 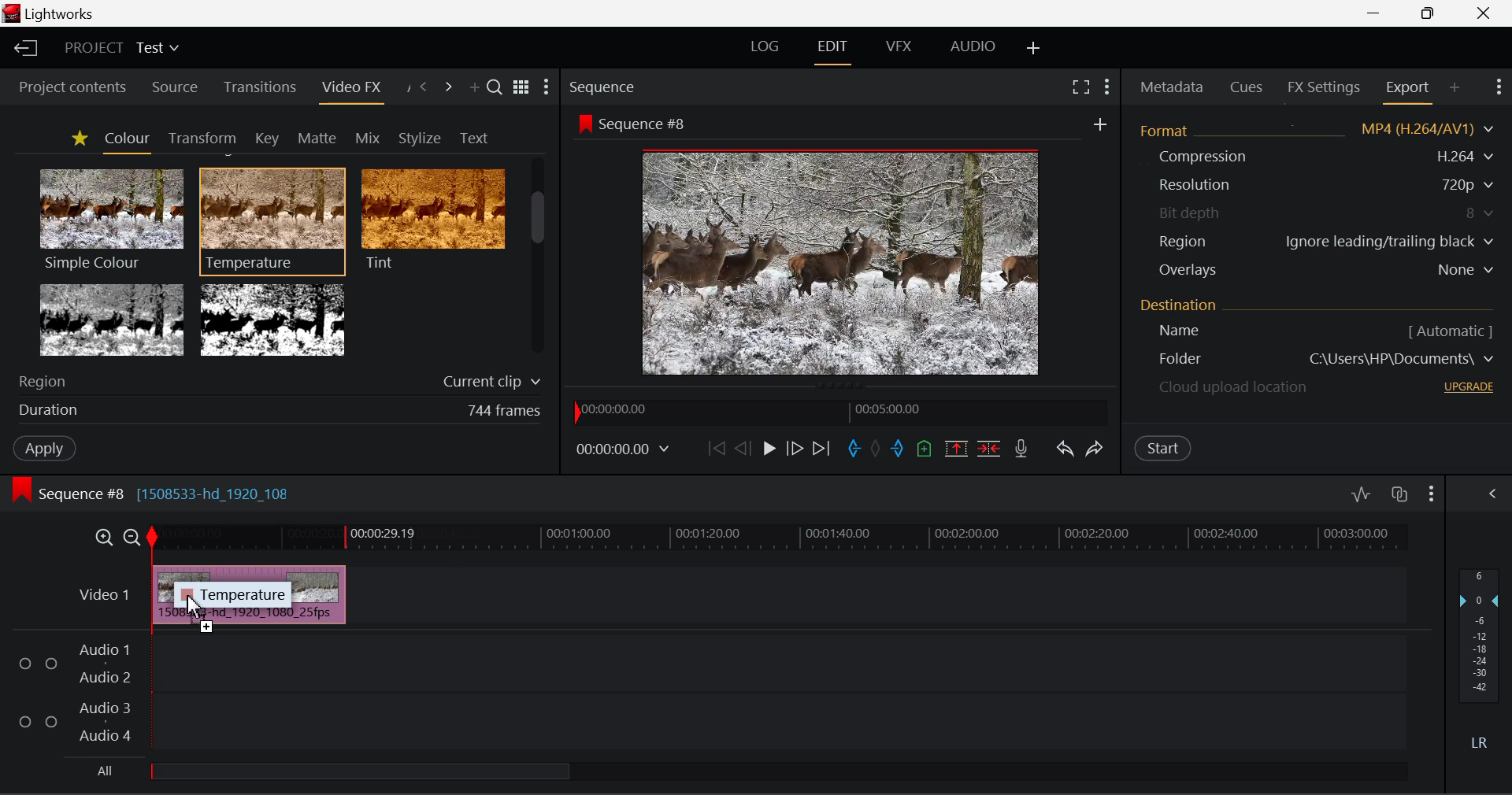 I want to click on Cloud upload location - upgrade, so click(x=1234, y=390).